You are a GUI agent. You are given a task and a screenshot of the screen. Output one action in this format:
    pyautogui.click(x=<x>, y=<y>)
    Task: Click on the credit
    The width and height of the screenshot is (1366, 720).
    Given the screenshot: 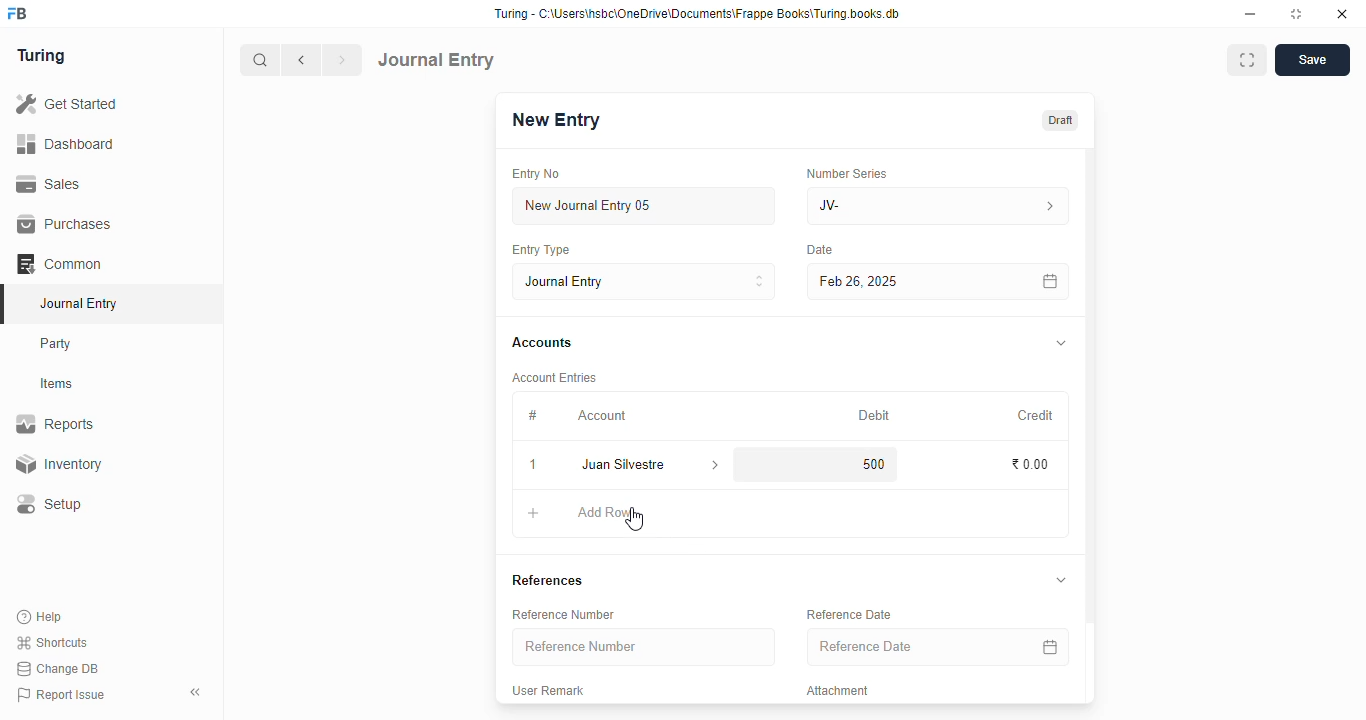 What is the action you would take?
    pyautogui.click(x=1037, y=415)
    